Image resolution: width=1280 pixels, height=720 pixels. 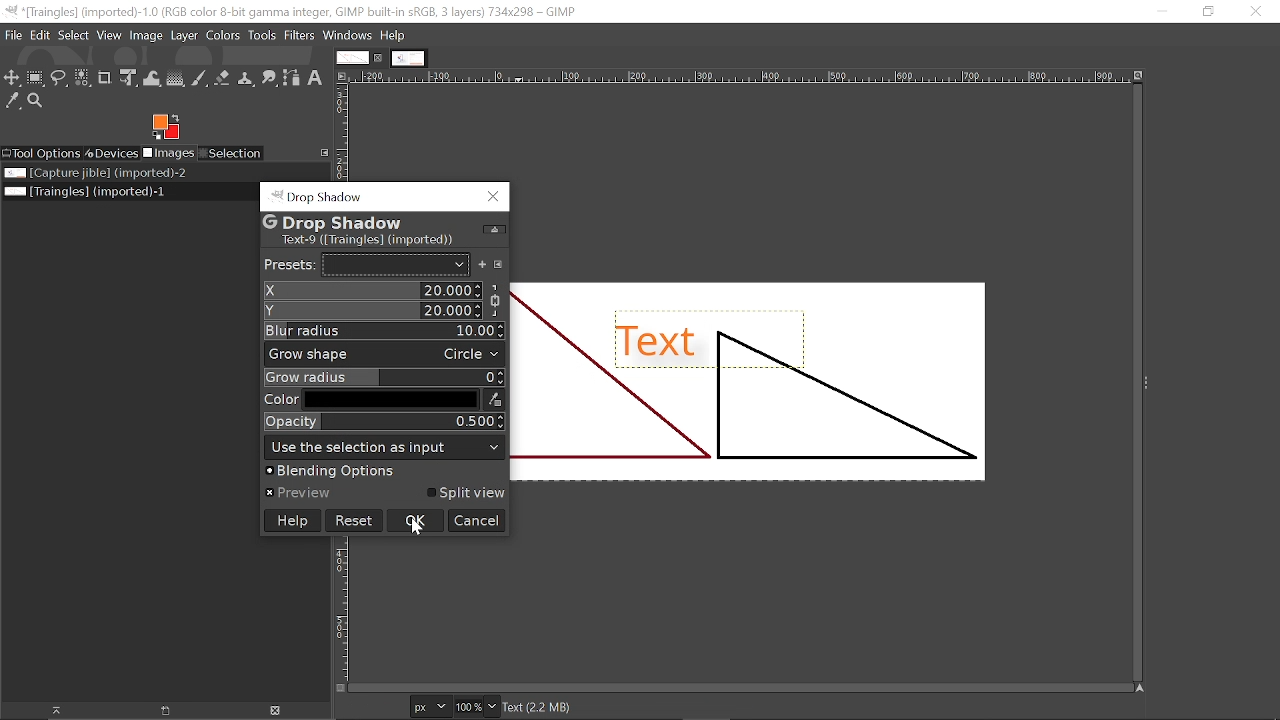 I want to click on Drop Shadow, so click(x=309, y=192).